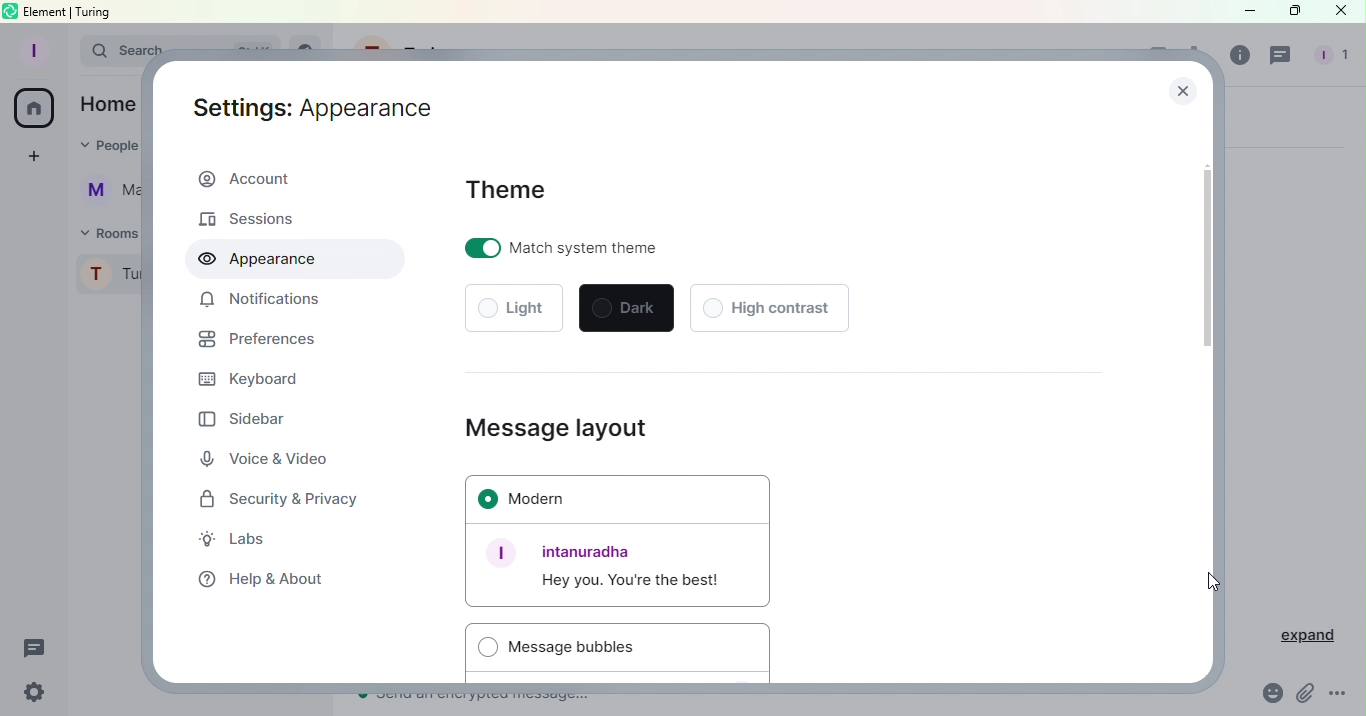 The image size is (1366, 716). Describe the element at coordinates (109, 271) in the screenshot. I see `Turing` at that location.